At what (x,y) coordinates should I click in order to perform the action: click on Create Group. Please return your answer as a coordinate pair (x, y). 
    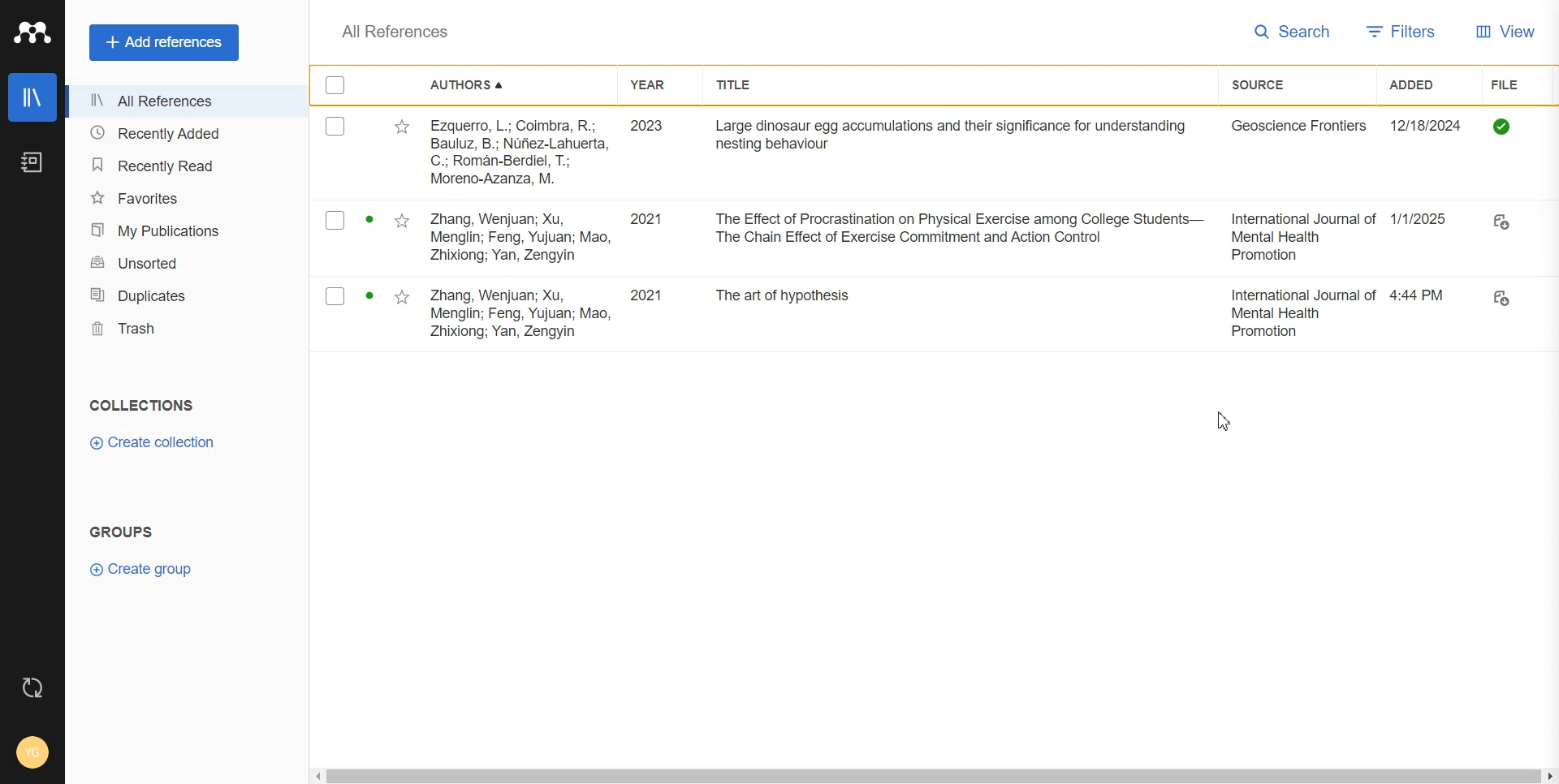
    Looking at the image, I should click on (145, 570).